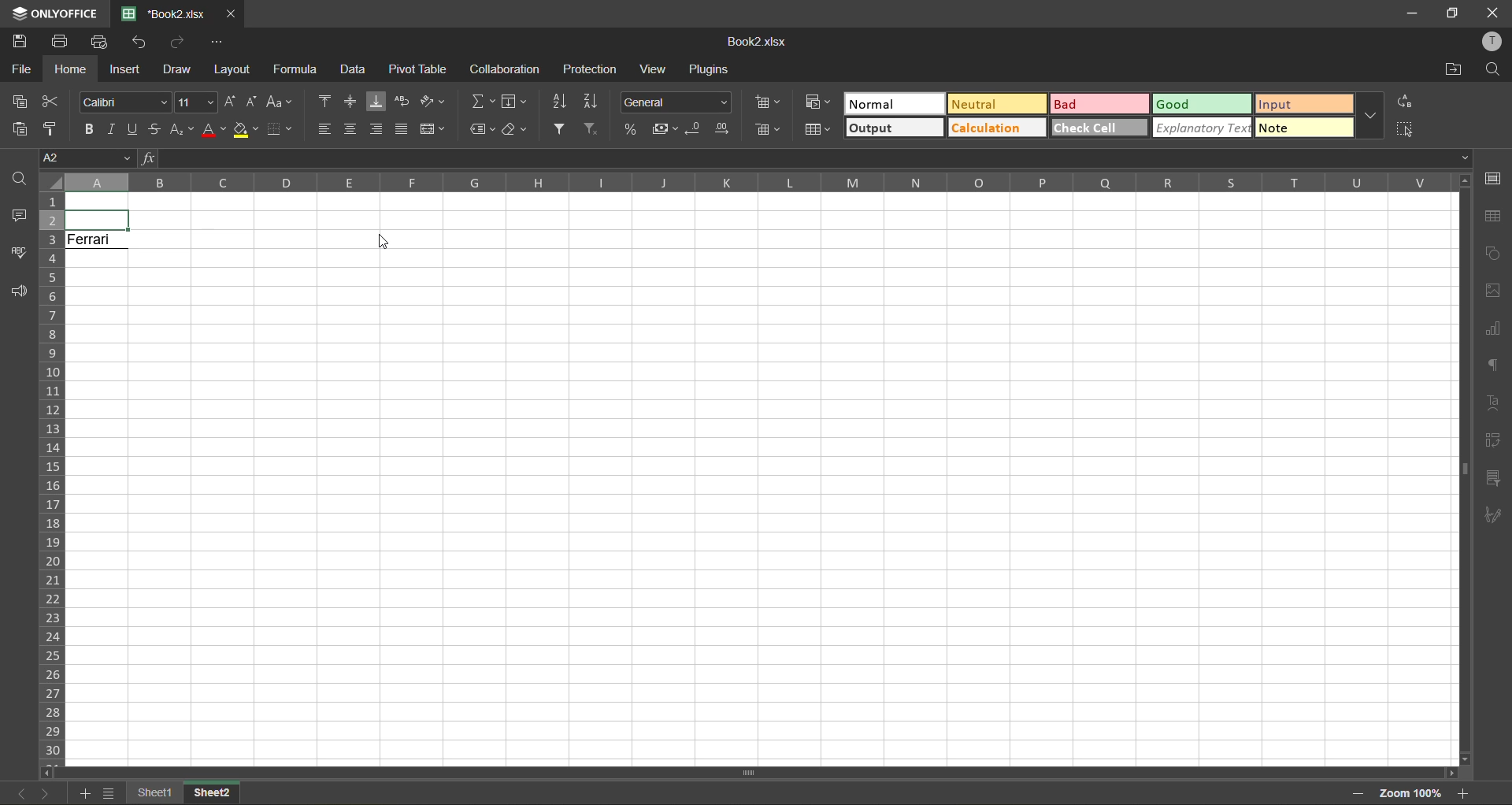  Describe the element at coordinates (817, 131) in the screenshot. I see `format as table` at that location.